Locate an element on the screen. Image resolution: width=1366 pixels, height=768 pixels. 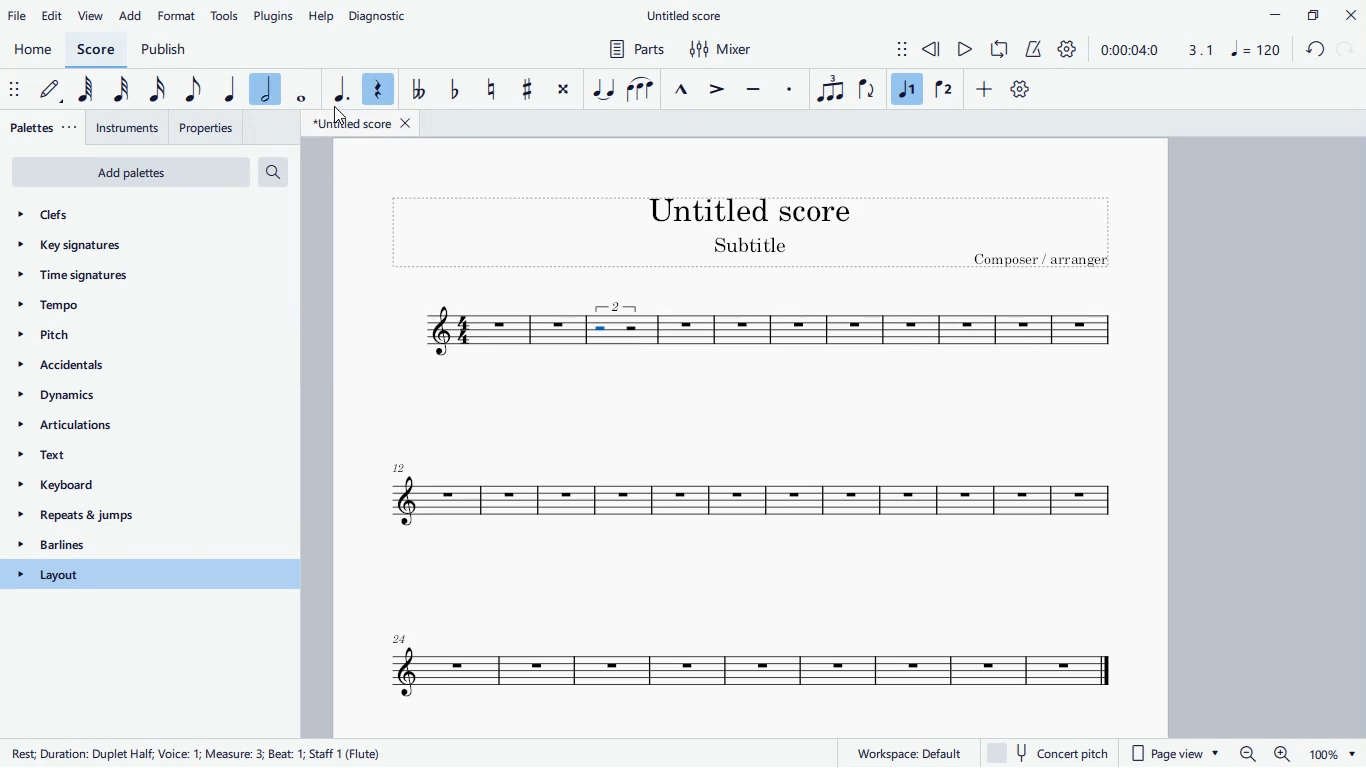
concert pitch is located at coordinates (1054, 753).